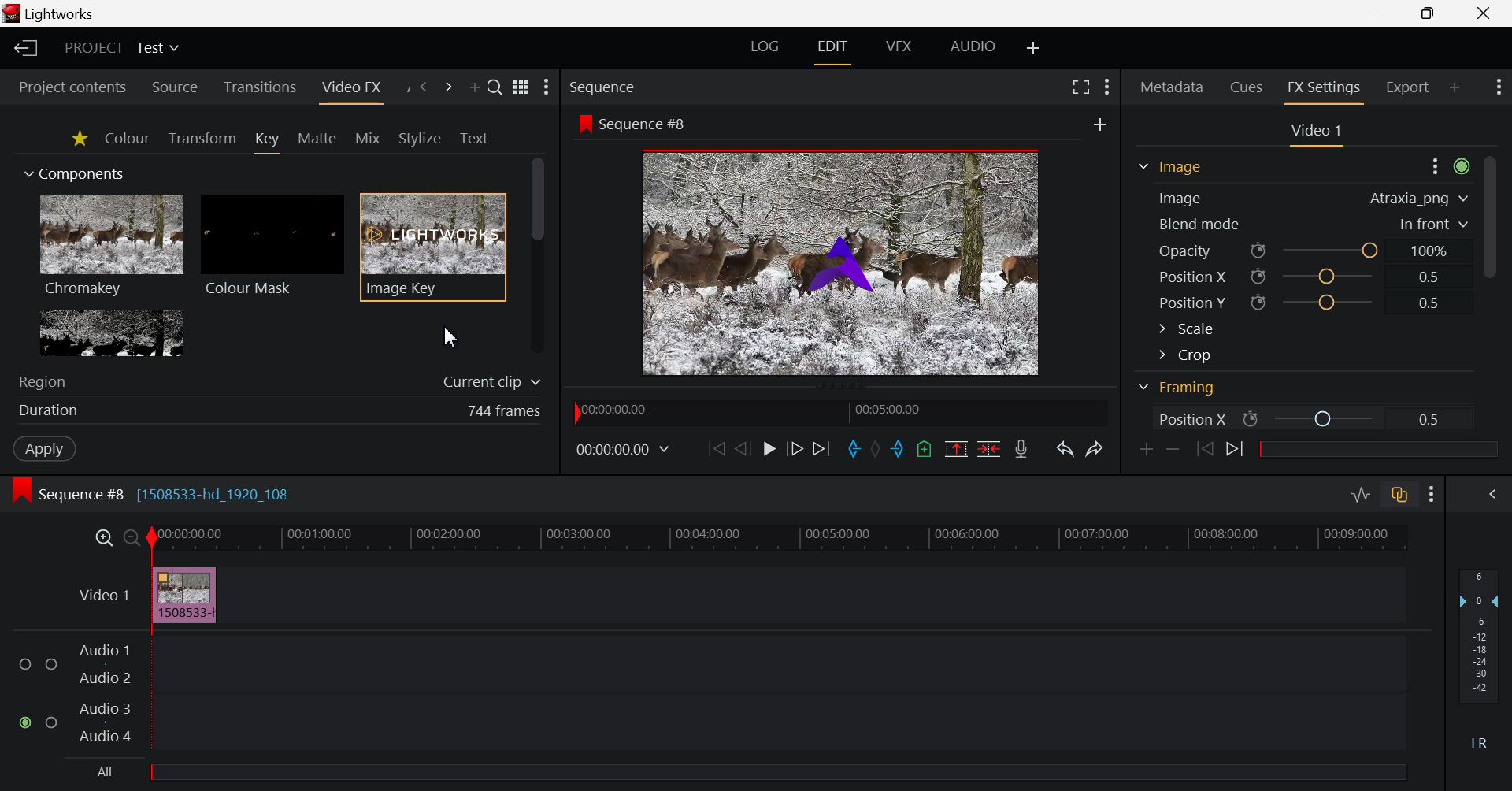 This screenshot has height=791, width=1512. Describe the element at coordinates (714, 445) in the screenshot. I see `To Start` at that location.